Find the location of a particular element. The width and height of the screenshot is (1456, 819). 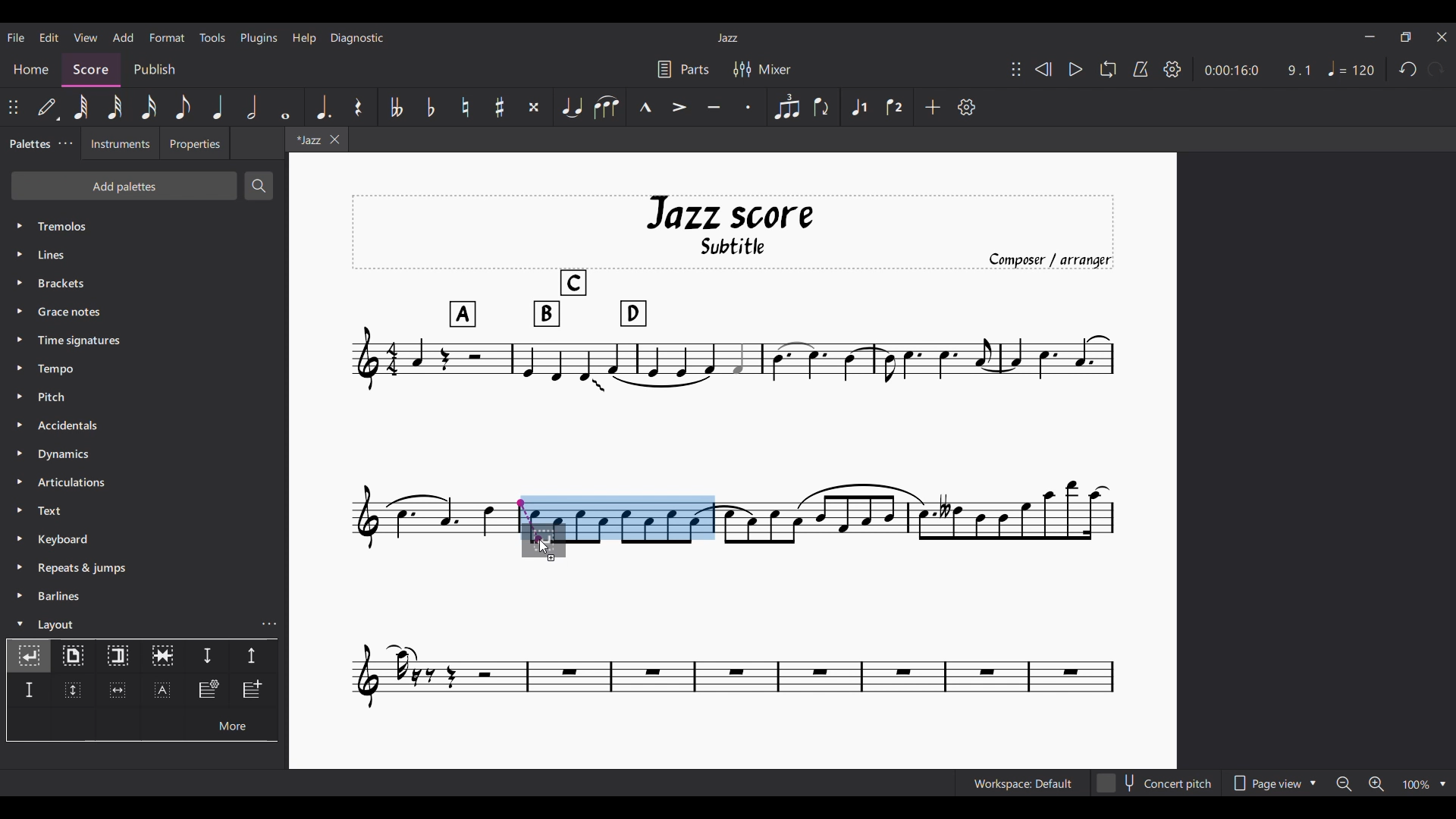

Grace notes is located at coordinates (144, 312).